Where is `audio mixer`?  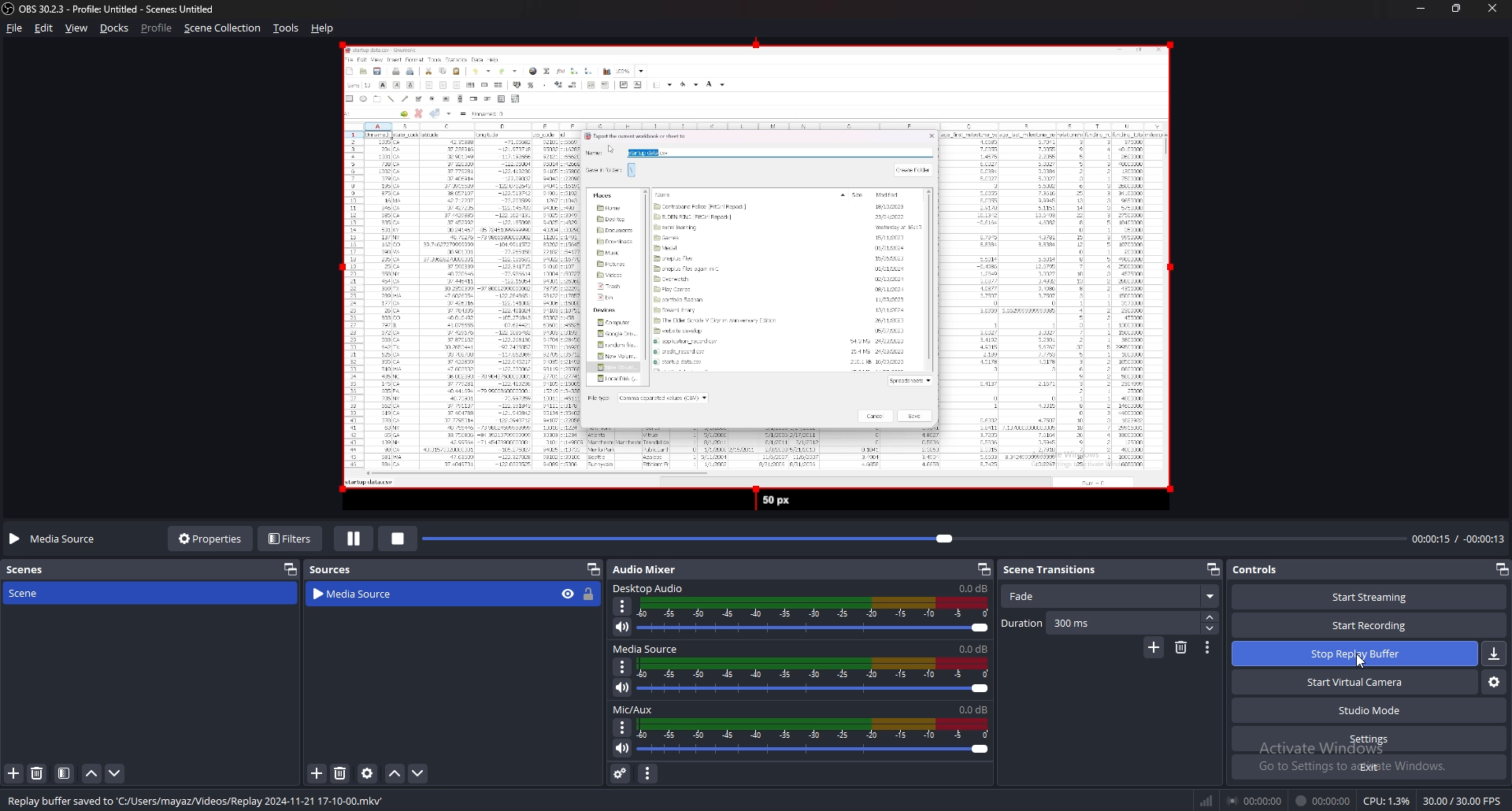
audio mixer is located at coordinates (645, 569).